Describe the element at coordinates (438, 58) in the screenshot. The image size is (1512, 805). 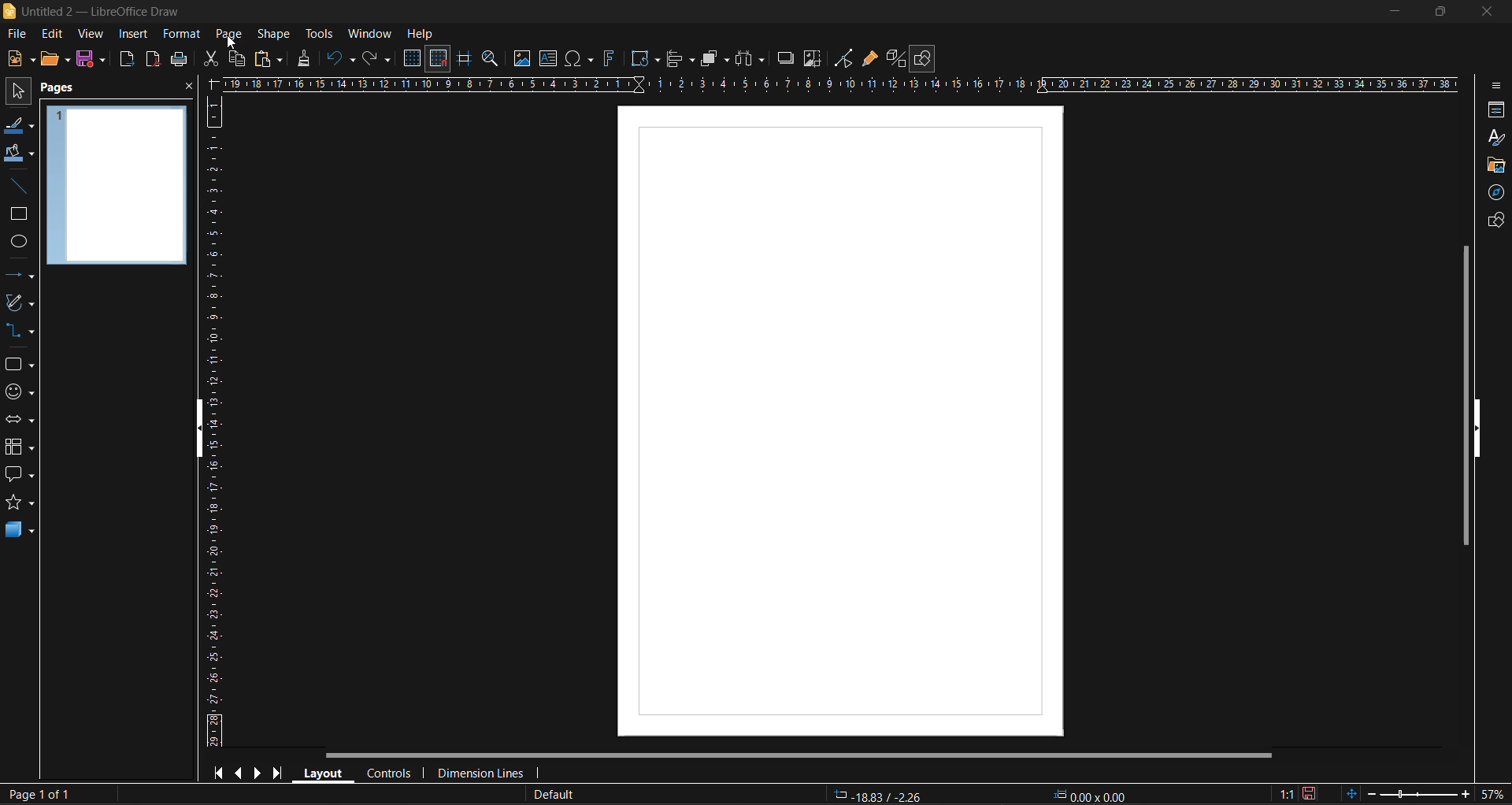
I see `snap to grid` at that location.